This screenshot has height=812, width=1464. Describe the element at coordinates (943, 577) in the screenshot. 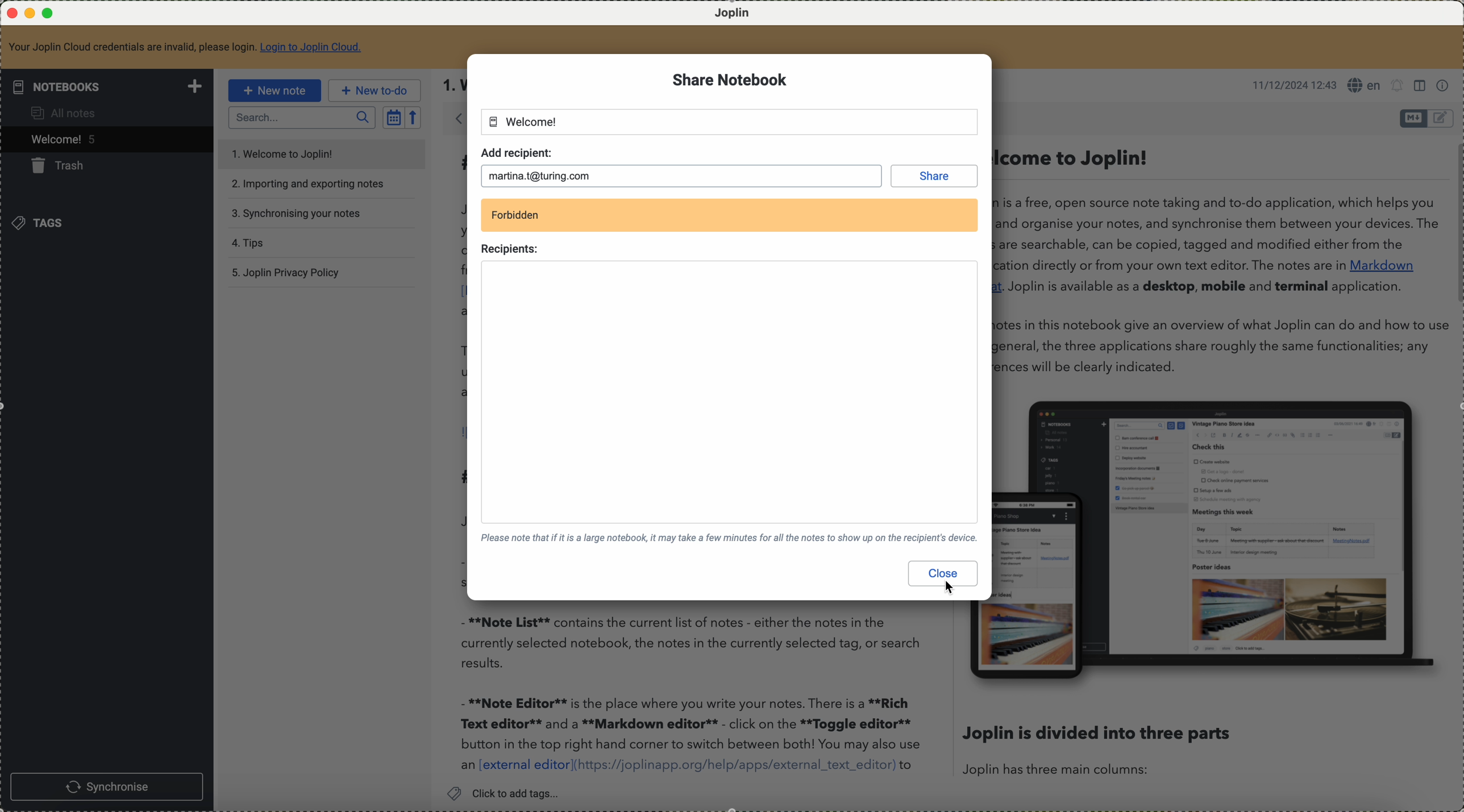

I see `click on close` at that location.